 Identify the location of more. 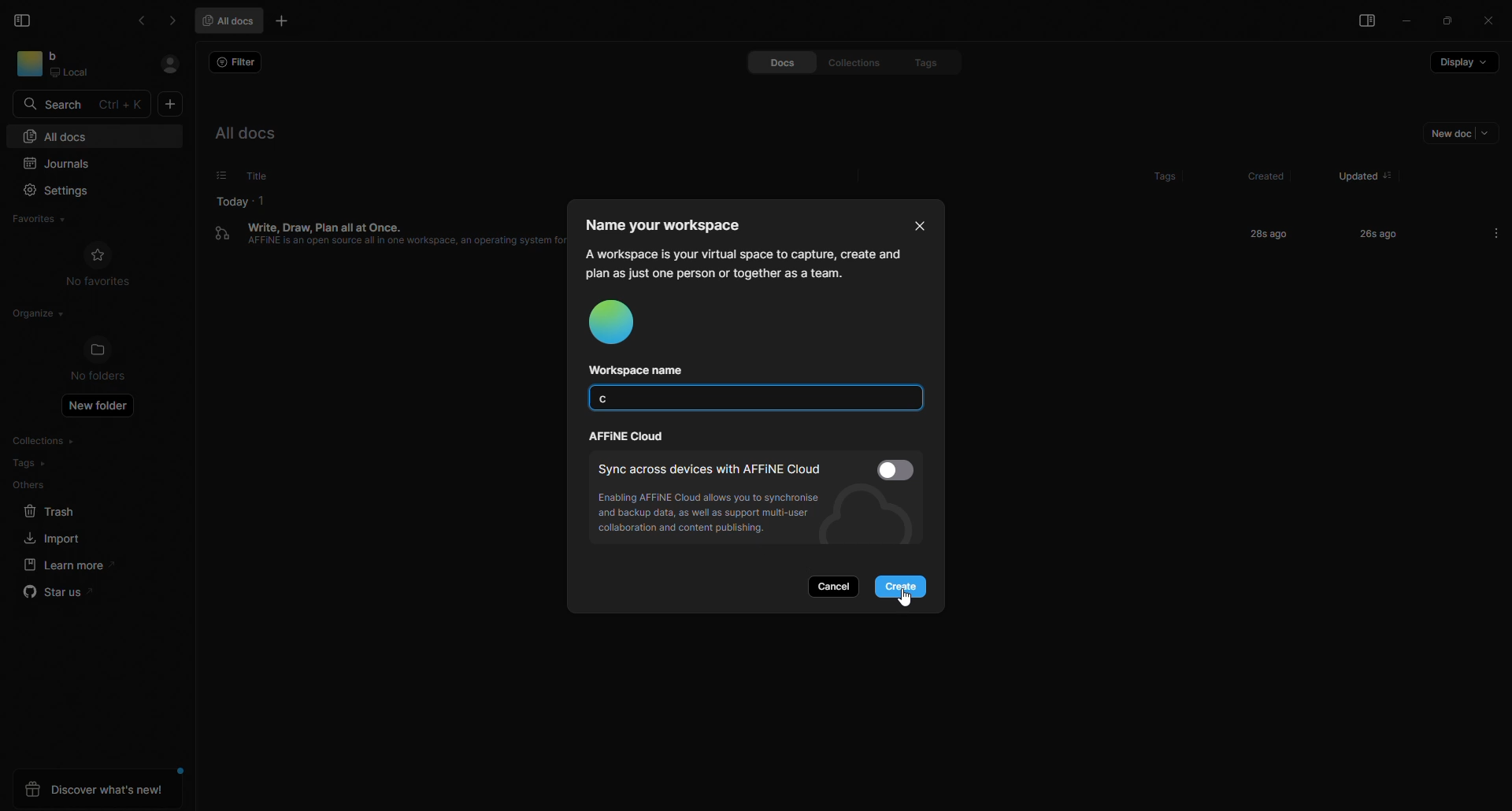
(1496, 232).